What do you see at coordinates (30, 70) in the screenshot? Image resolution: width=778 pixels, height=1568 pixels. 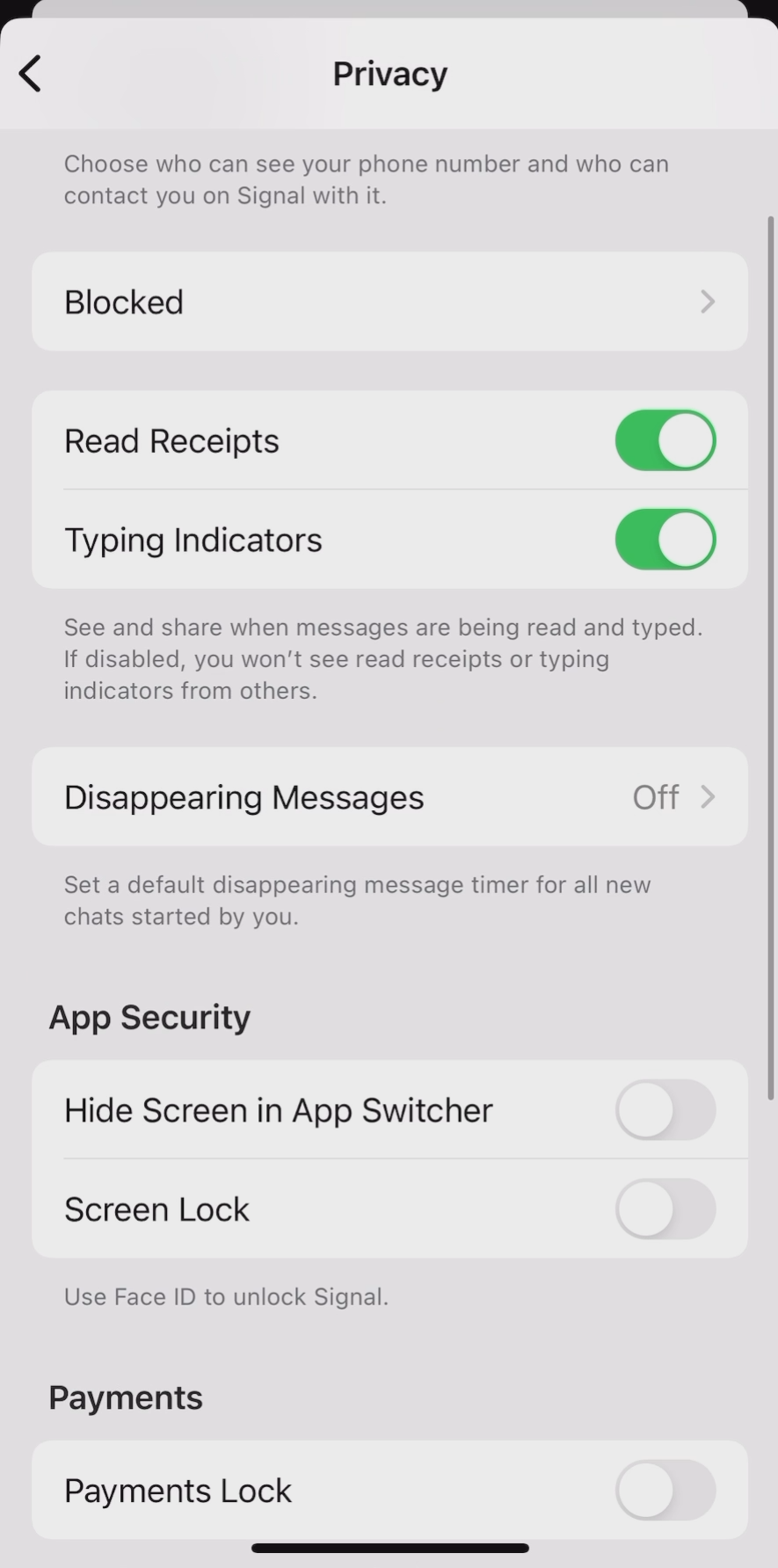 I see `navigate back` at bounding box center [30, 70].